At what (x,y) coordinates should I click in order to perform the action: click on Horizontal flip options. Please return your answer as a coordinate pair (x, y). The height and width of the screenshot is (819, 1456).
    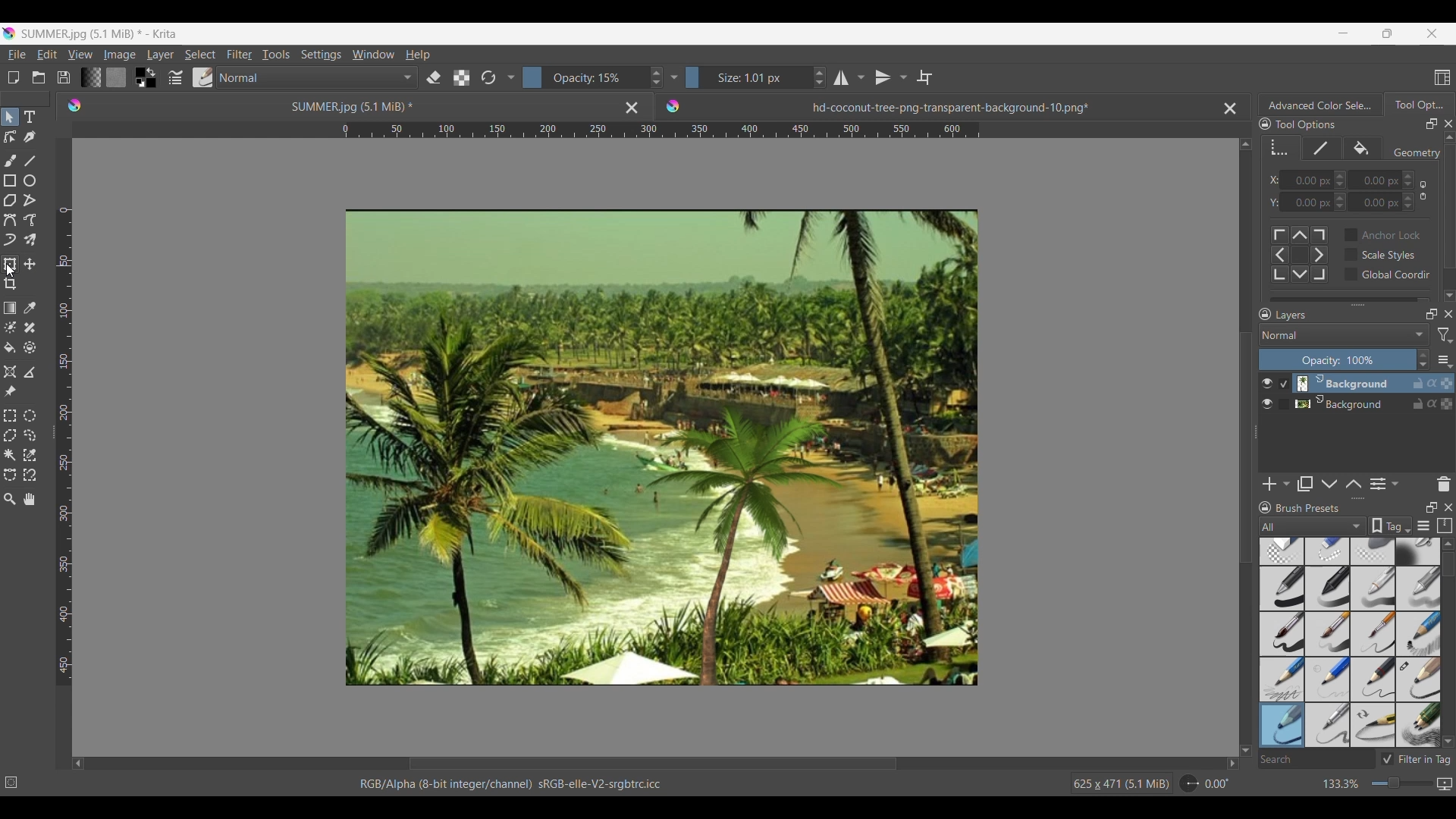
    Looking at the image, I should click on (841, 77).